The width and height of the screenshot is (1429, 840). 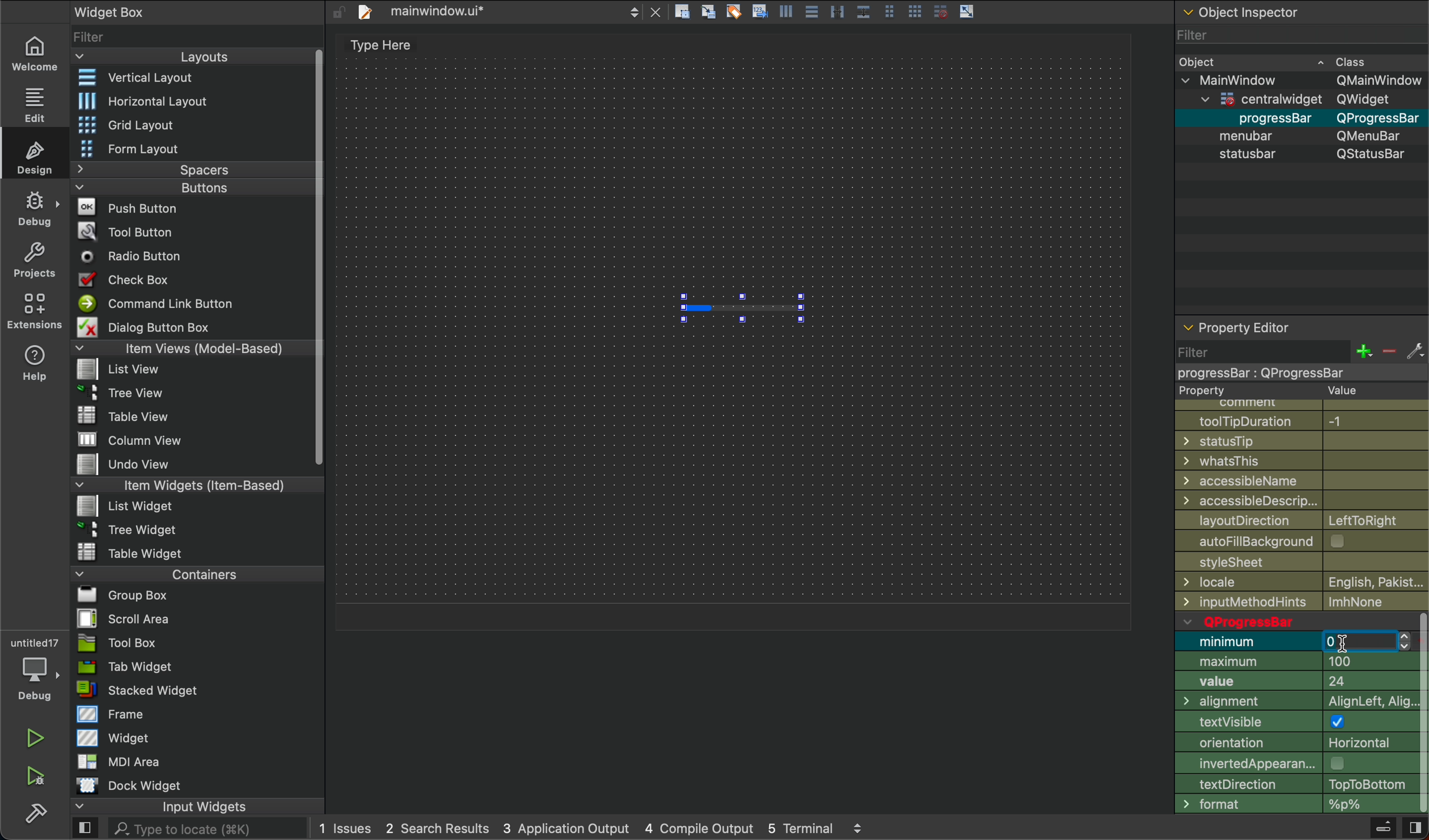 I want to click on layout actions buttons, so click(x=824, y=14).